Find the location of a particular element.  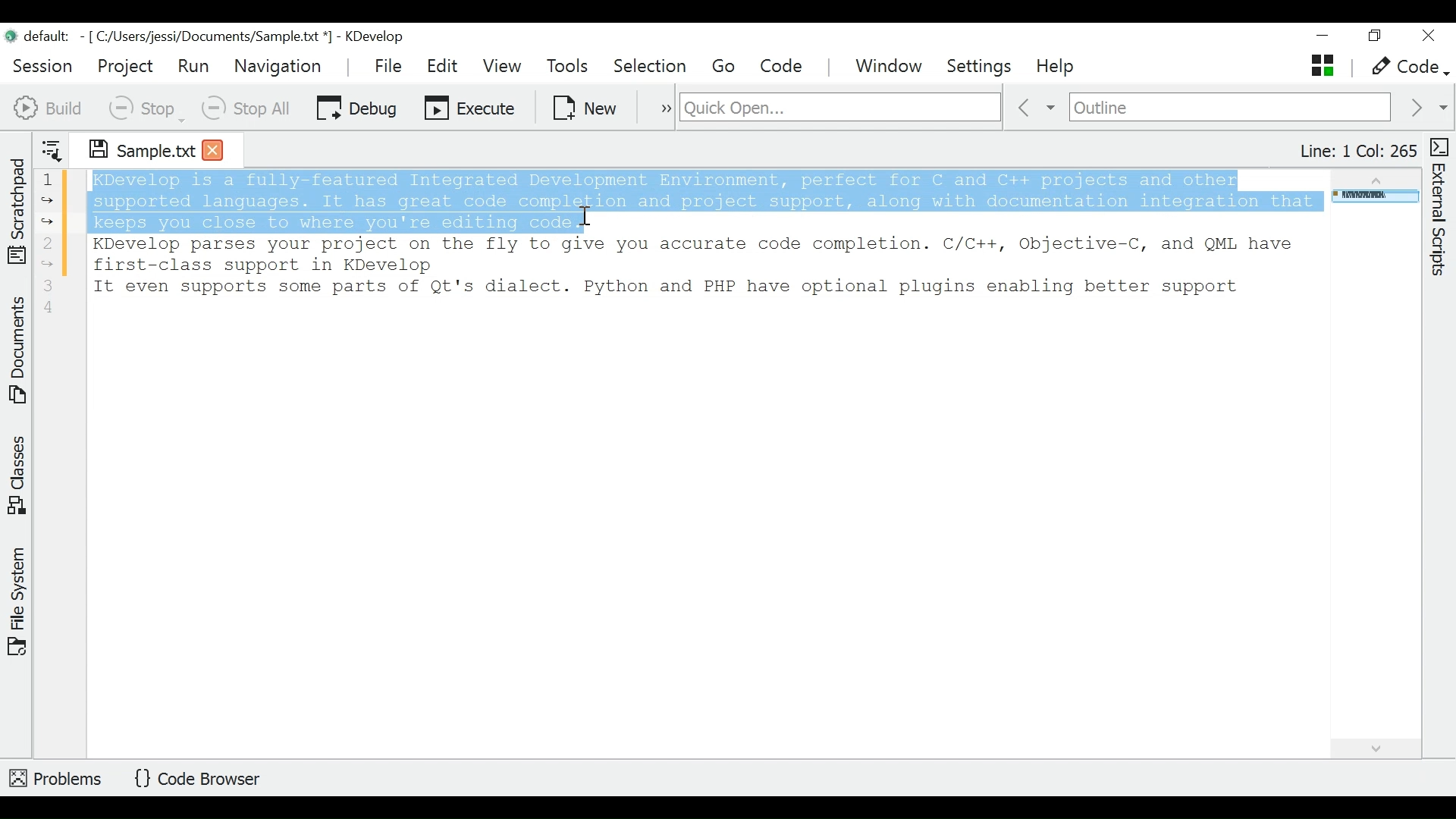

Show sorted list is located at coordinates (52, 147).